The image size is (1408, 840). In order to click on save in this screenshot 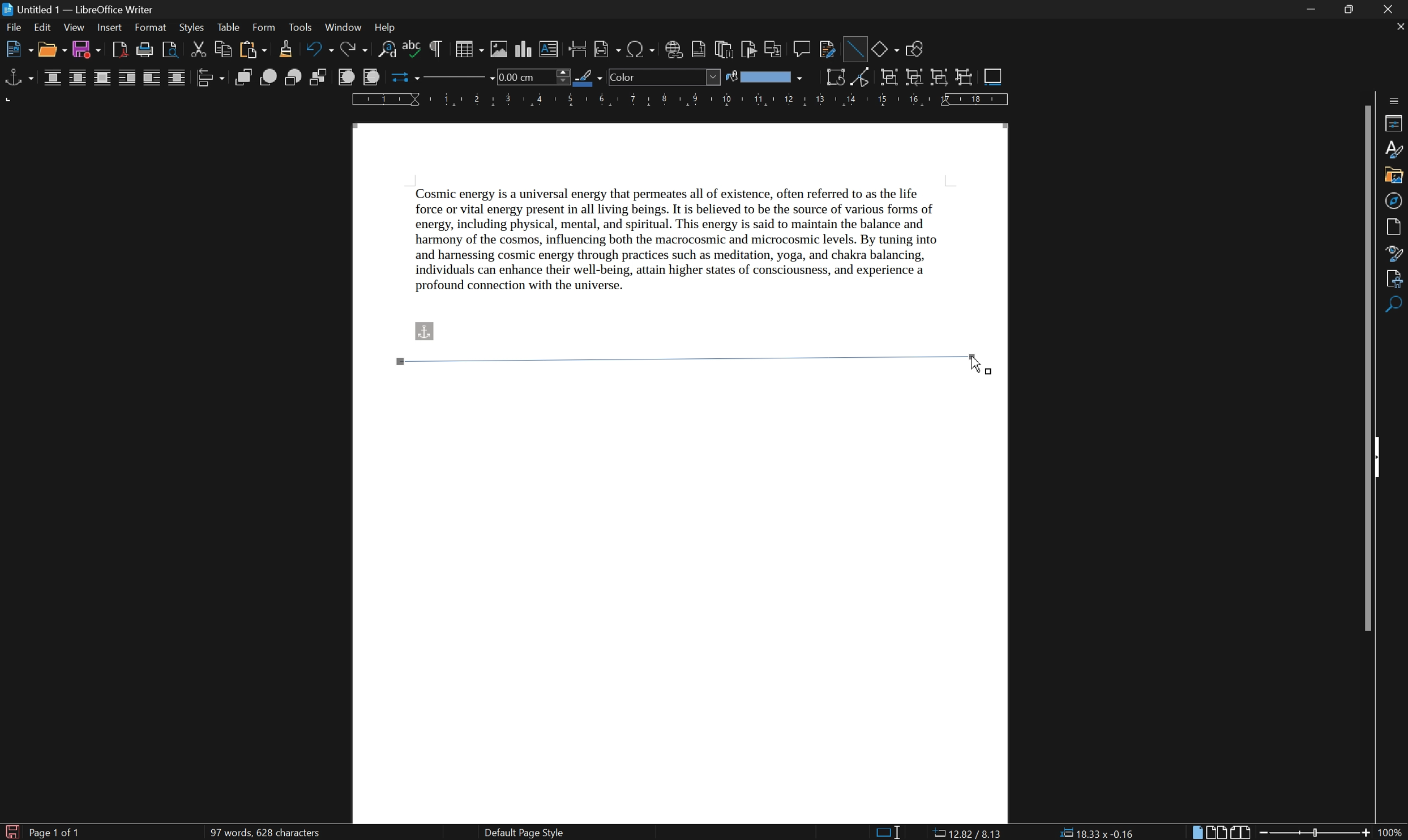, I will do `click(88, 50)`.